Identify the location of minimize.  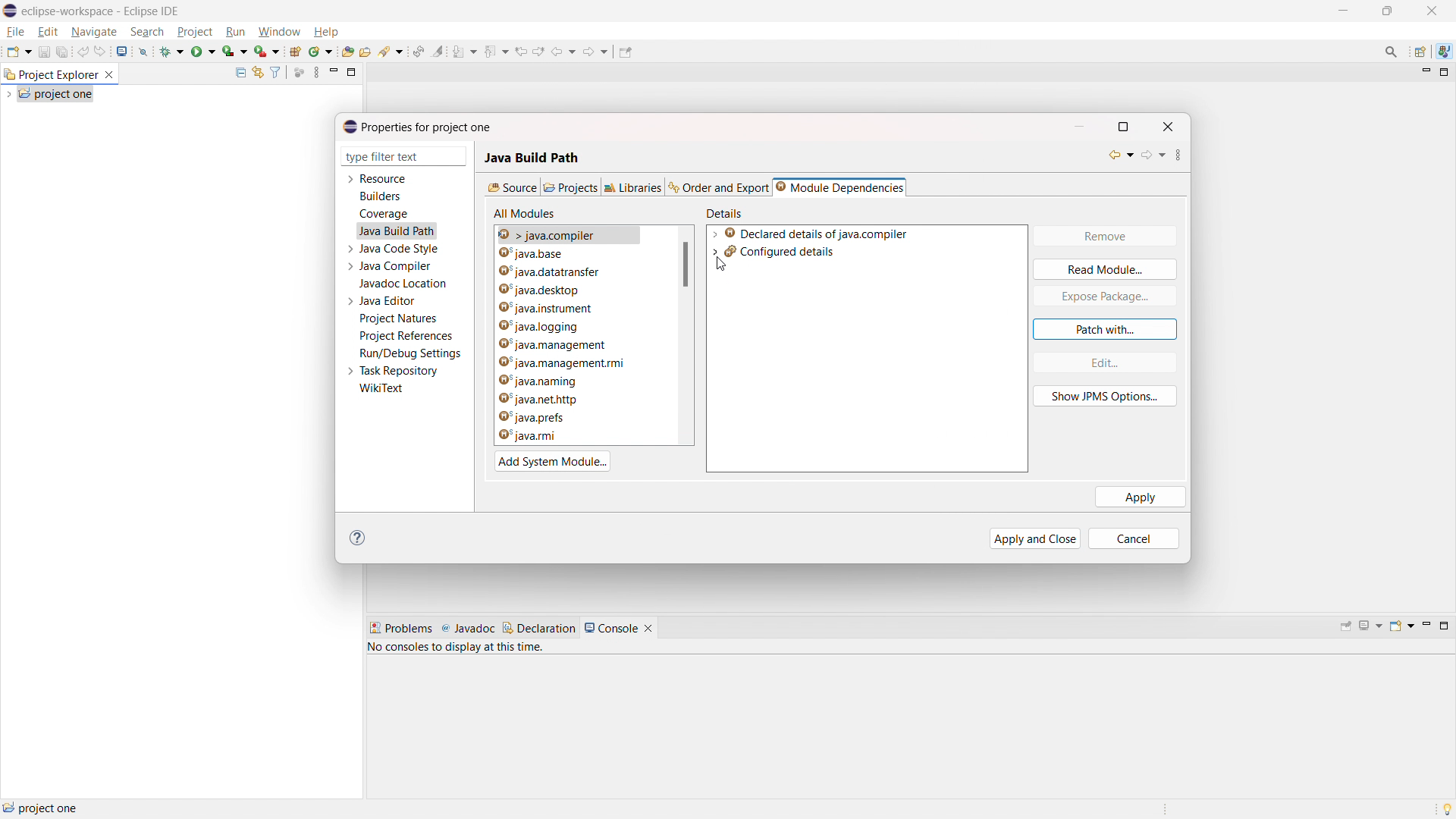
(1424, 73).